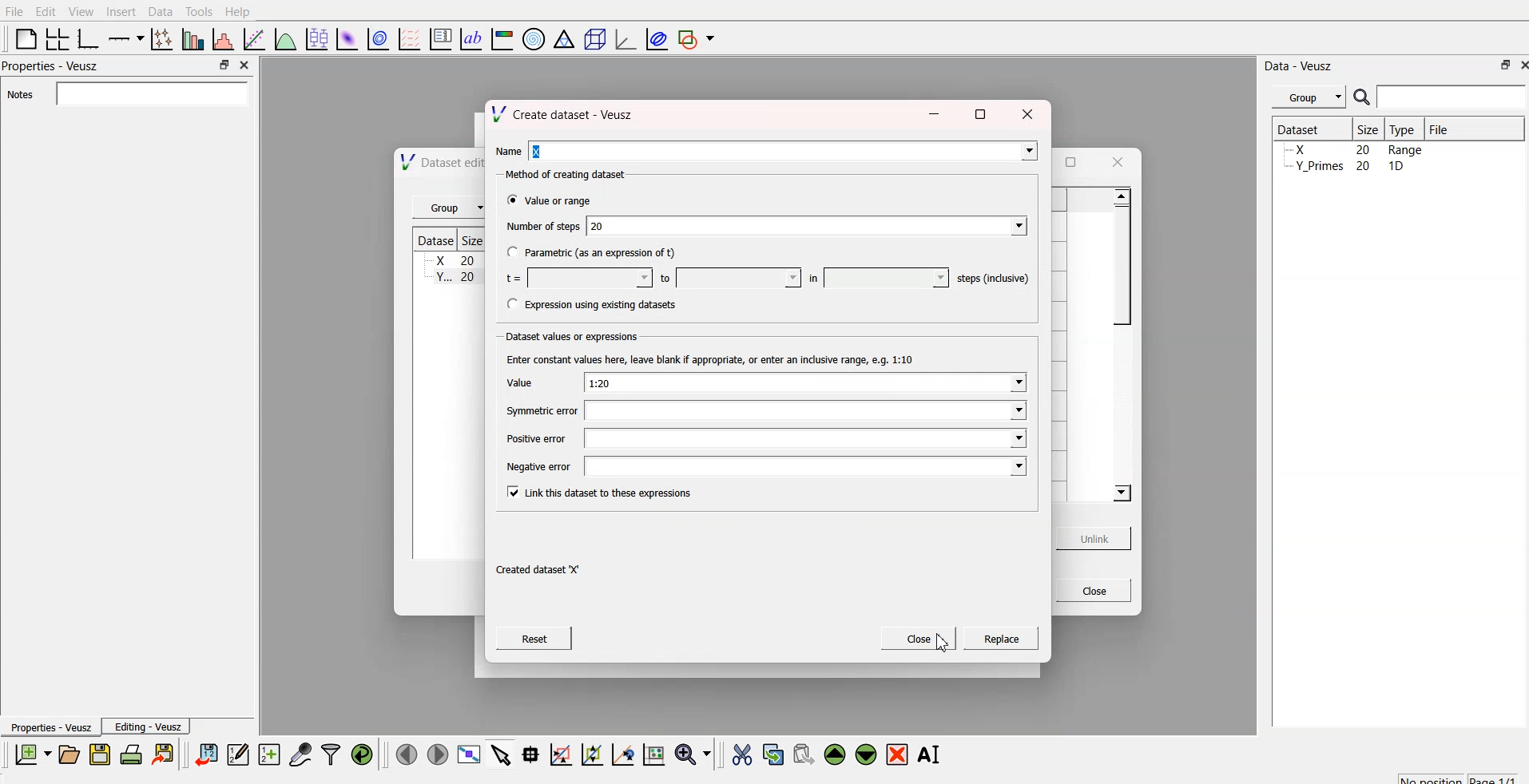 Image resolution: width=1529 pixels, height=784 pixels. Describe the element at coordinates (470, 754) in the screenshot. I see `view plot full screen` at that location.